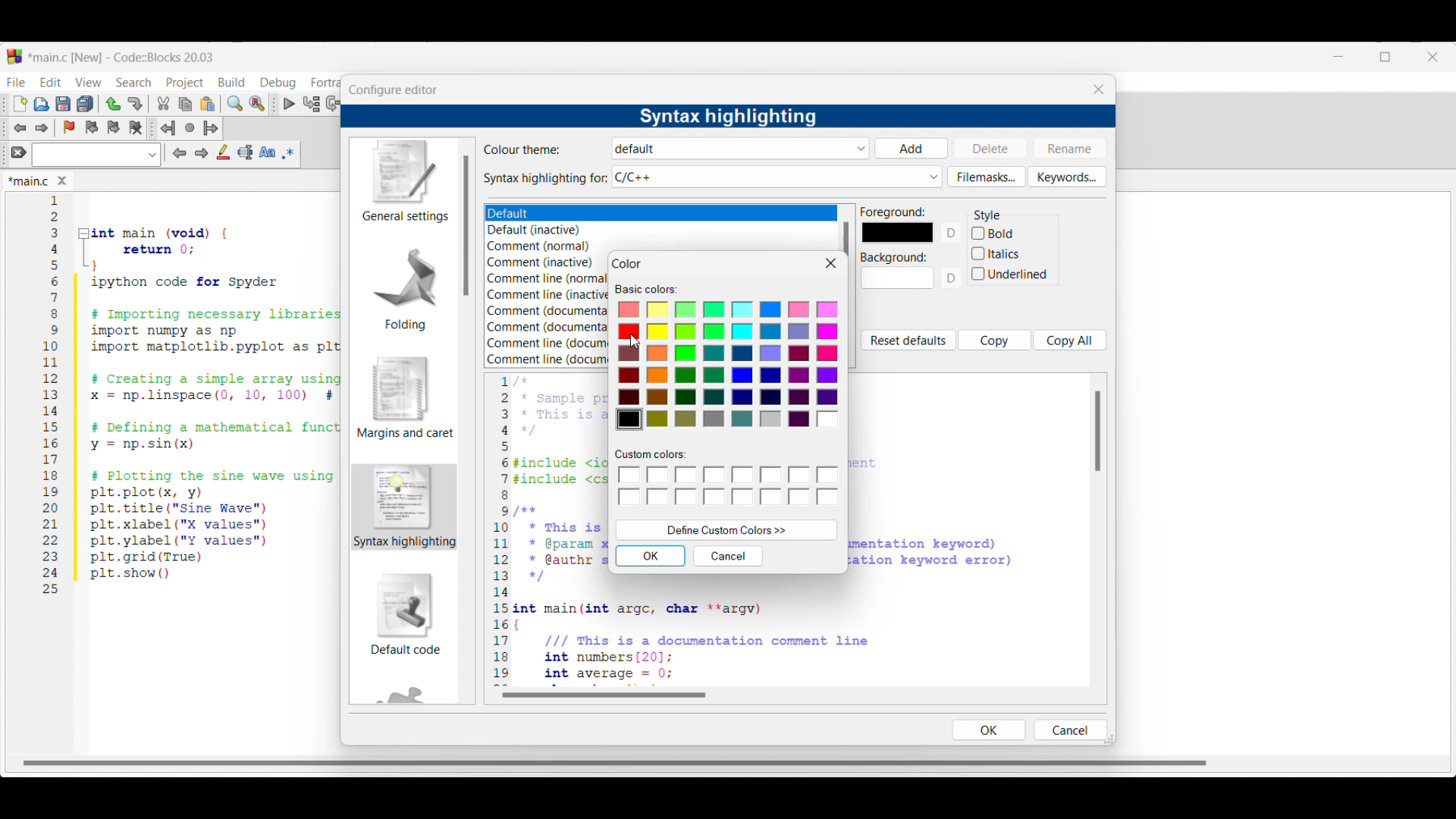 The height and width of the screenshot is (819, 1456). I want to click on Build menu, so click(231, 82).